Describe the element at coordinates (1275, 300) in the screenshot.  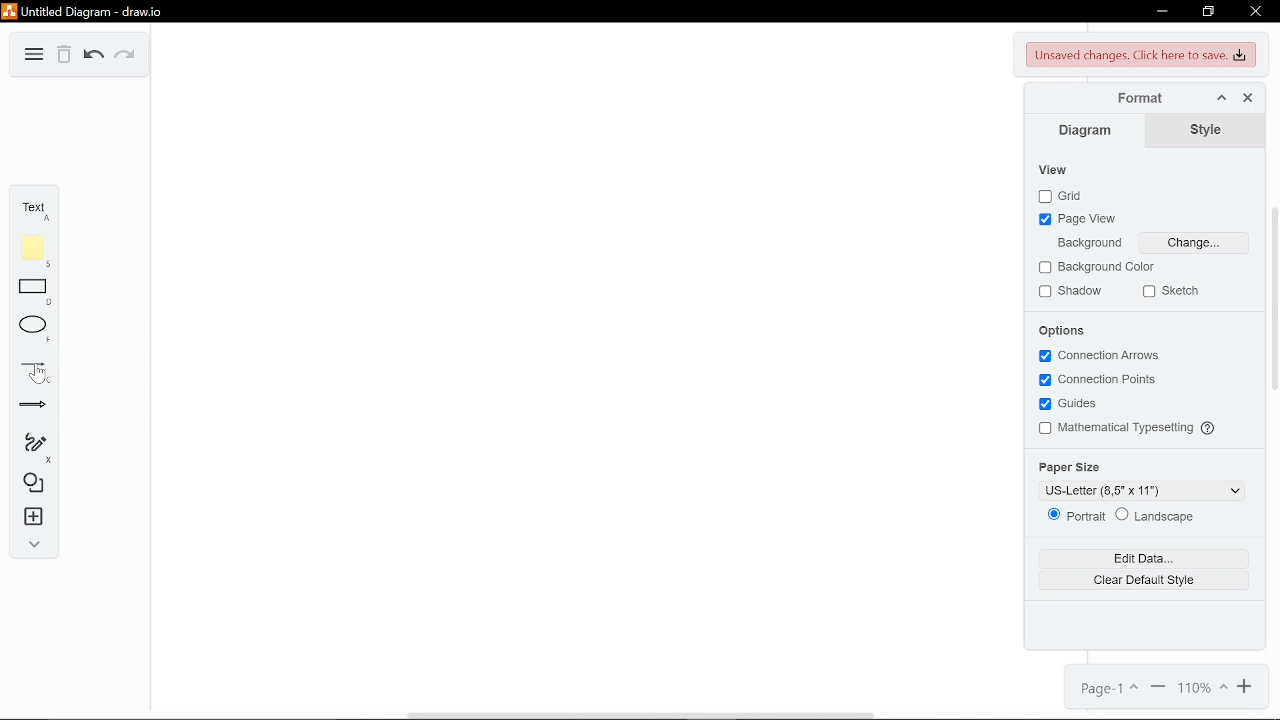
I see `scroll bar` at that location.